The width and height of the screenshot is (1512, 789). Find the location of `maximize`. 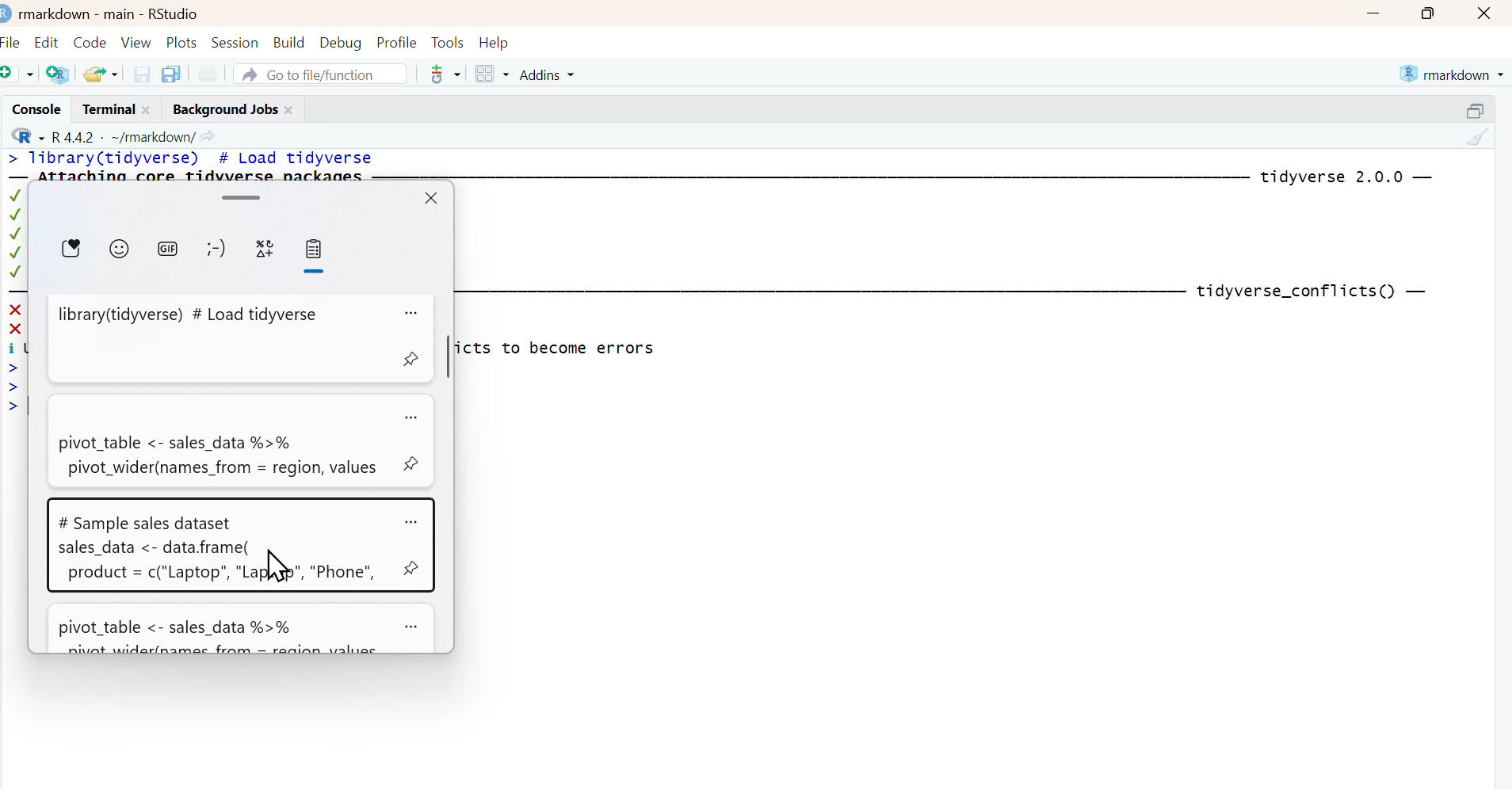

maximize is located at coordinates (1434, 13).